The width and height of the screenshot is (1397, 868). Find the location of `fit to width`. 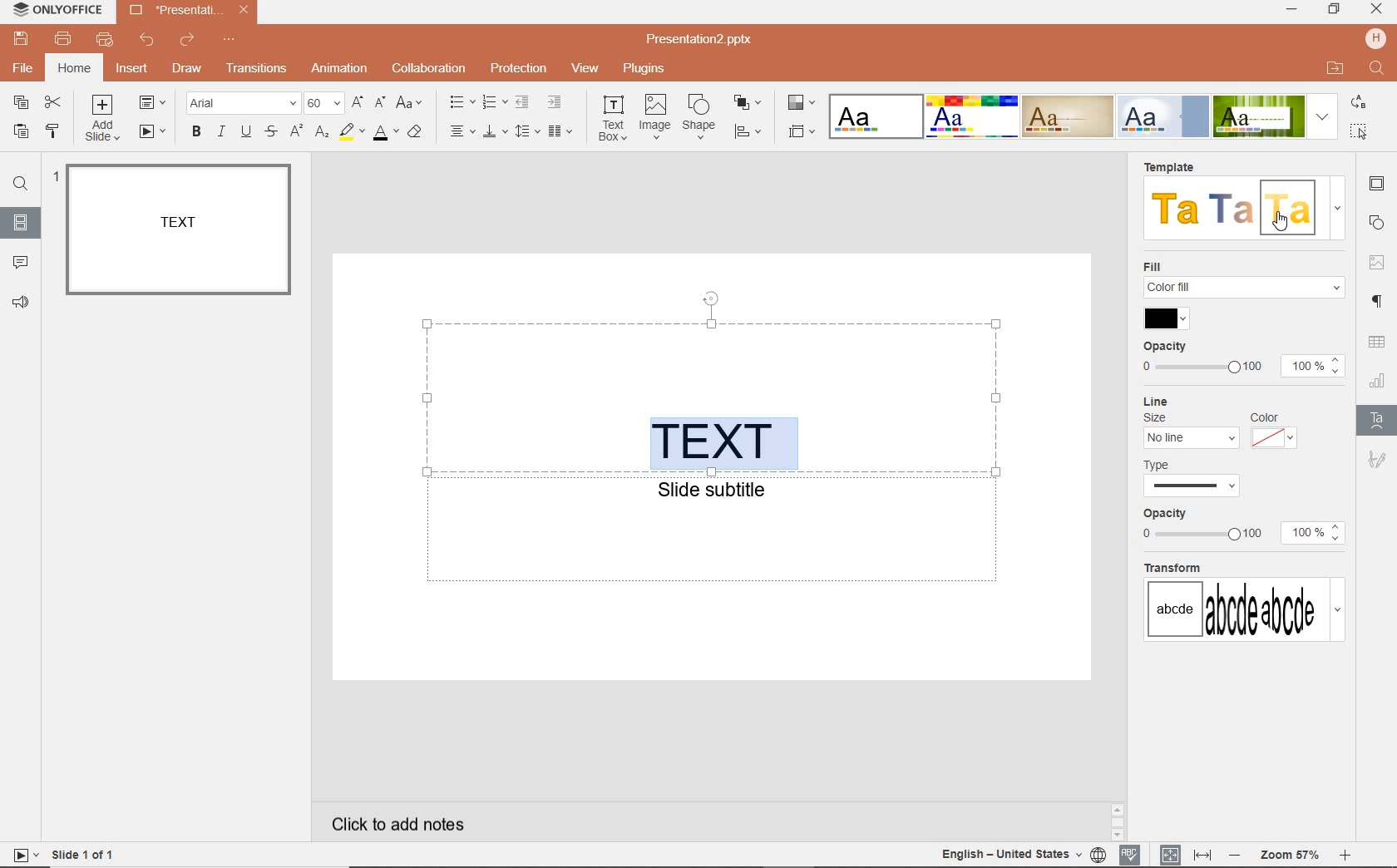

fit to width is located at coordinates (1204, 856).